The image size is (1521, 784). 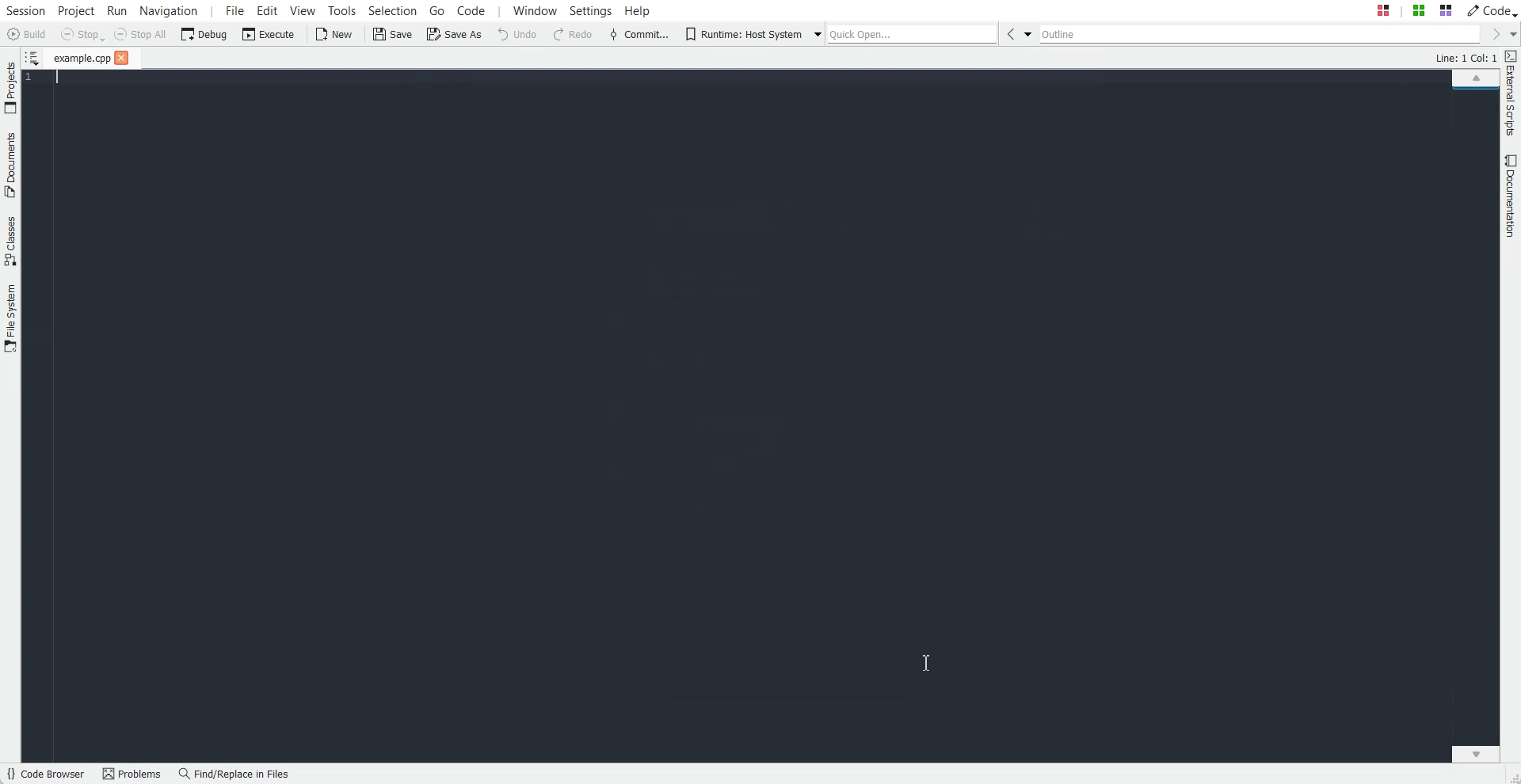 What do you see at coordinates (122, 59) in the screenshot?
I see `close` at bounding box center [122, 59].